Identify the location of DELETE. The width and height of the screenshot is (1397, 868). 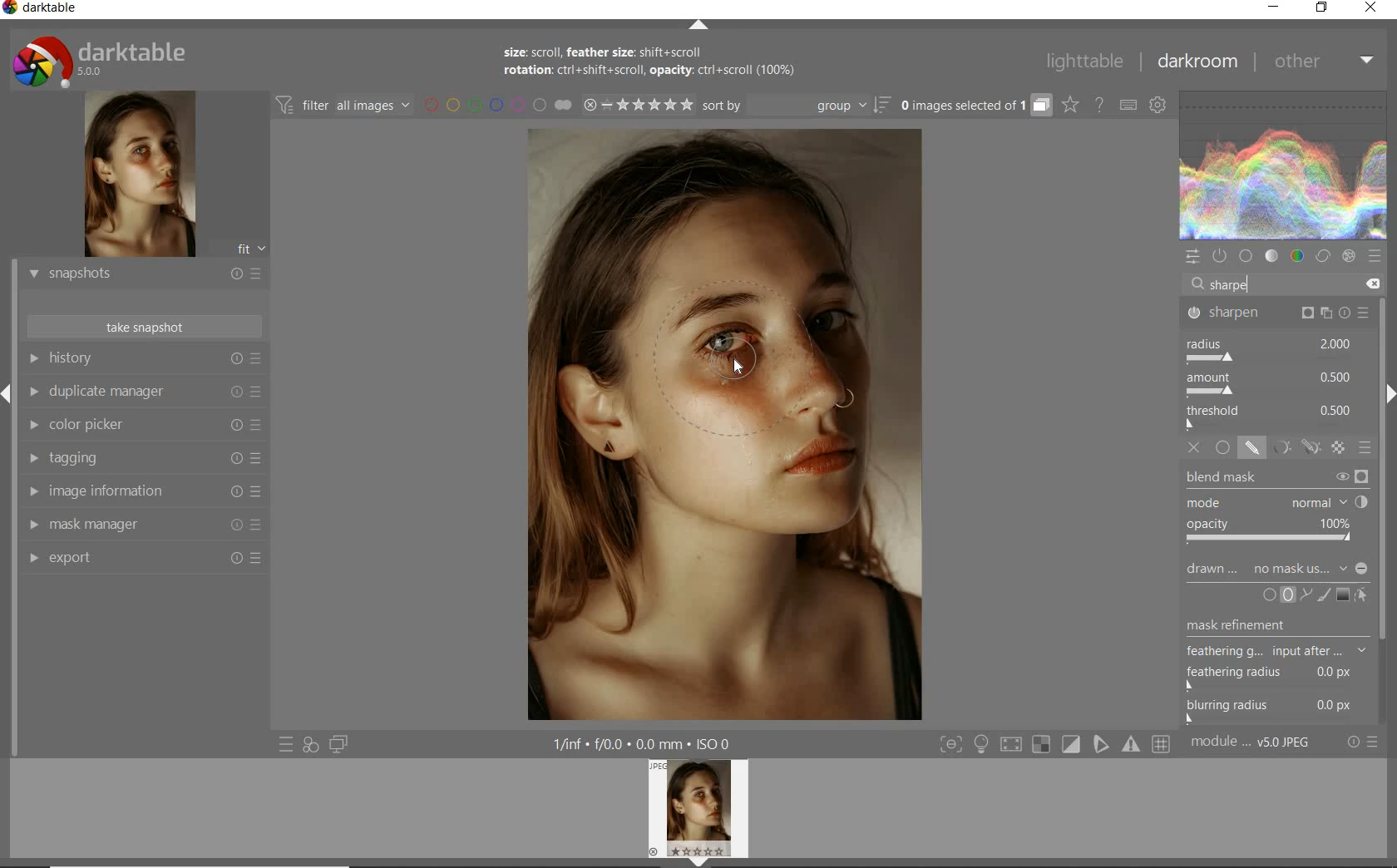
(1370, 284).